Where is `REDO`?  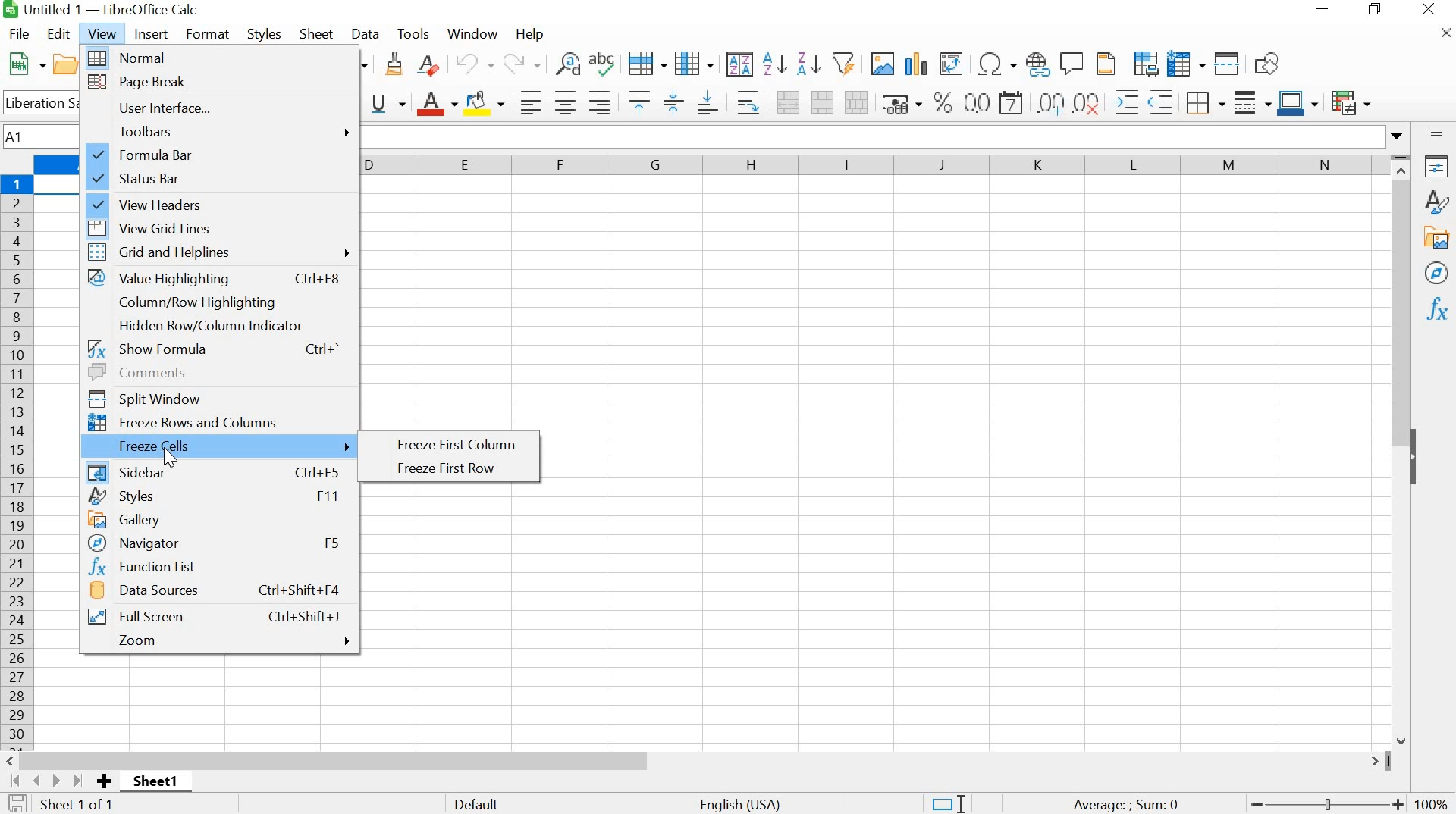
REDO is located at coordinates (522, 64).